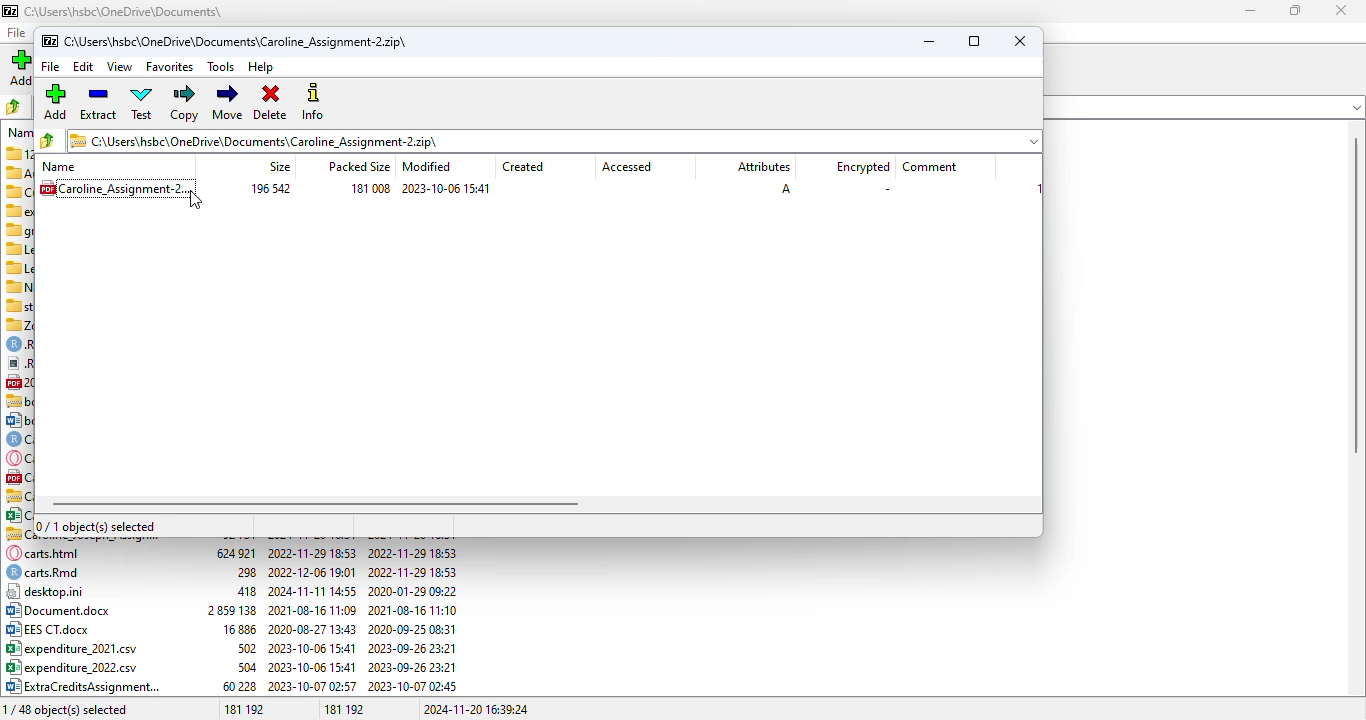  I want to click on 0/1 object(s) selected, so click(96, 526).